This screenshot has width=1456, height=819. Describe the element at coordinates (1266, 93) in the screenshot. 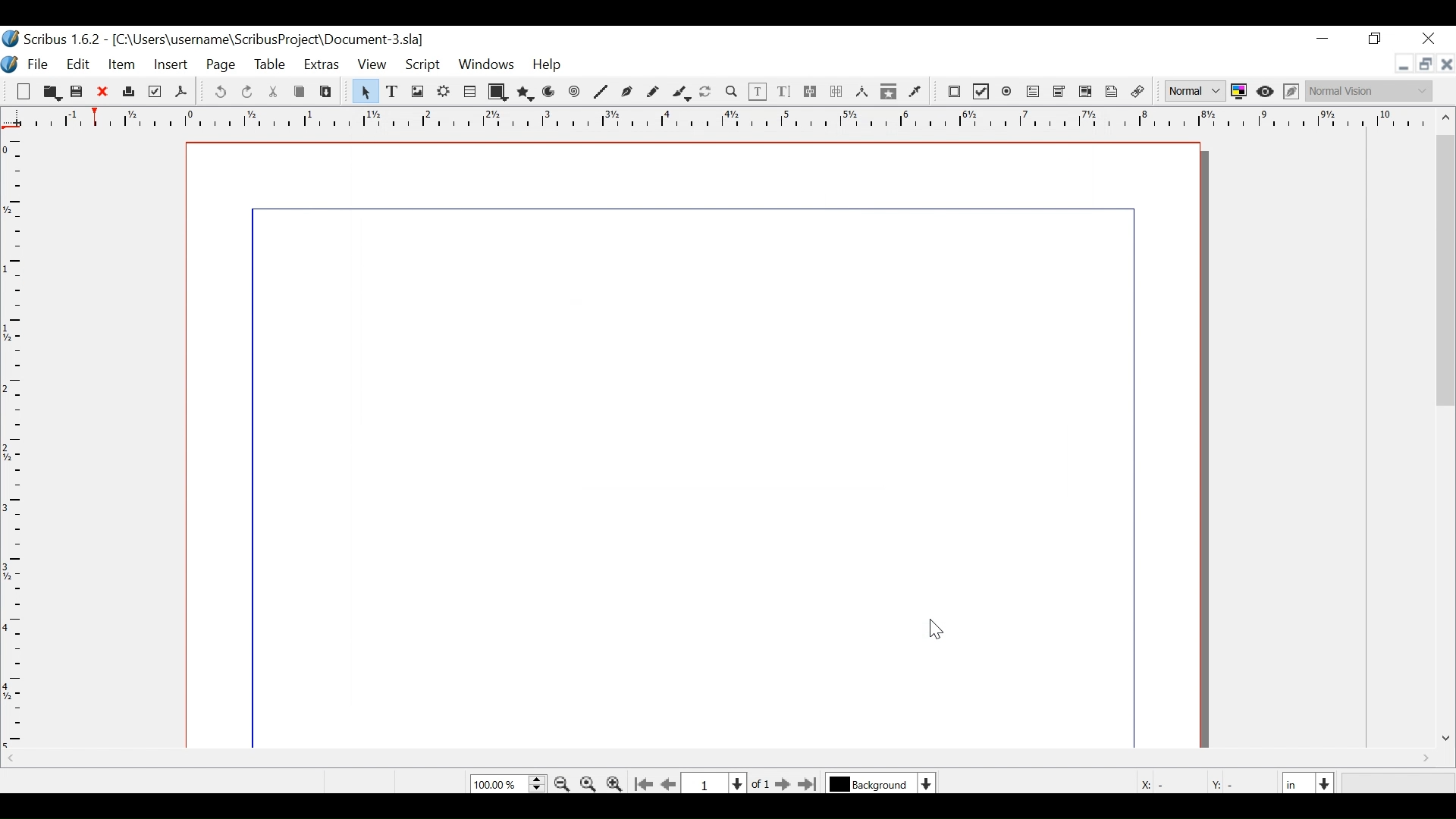

I see `Preview mode` at that location.